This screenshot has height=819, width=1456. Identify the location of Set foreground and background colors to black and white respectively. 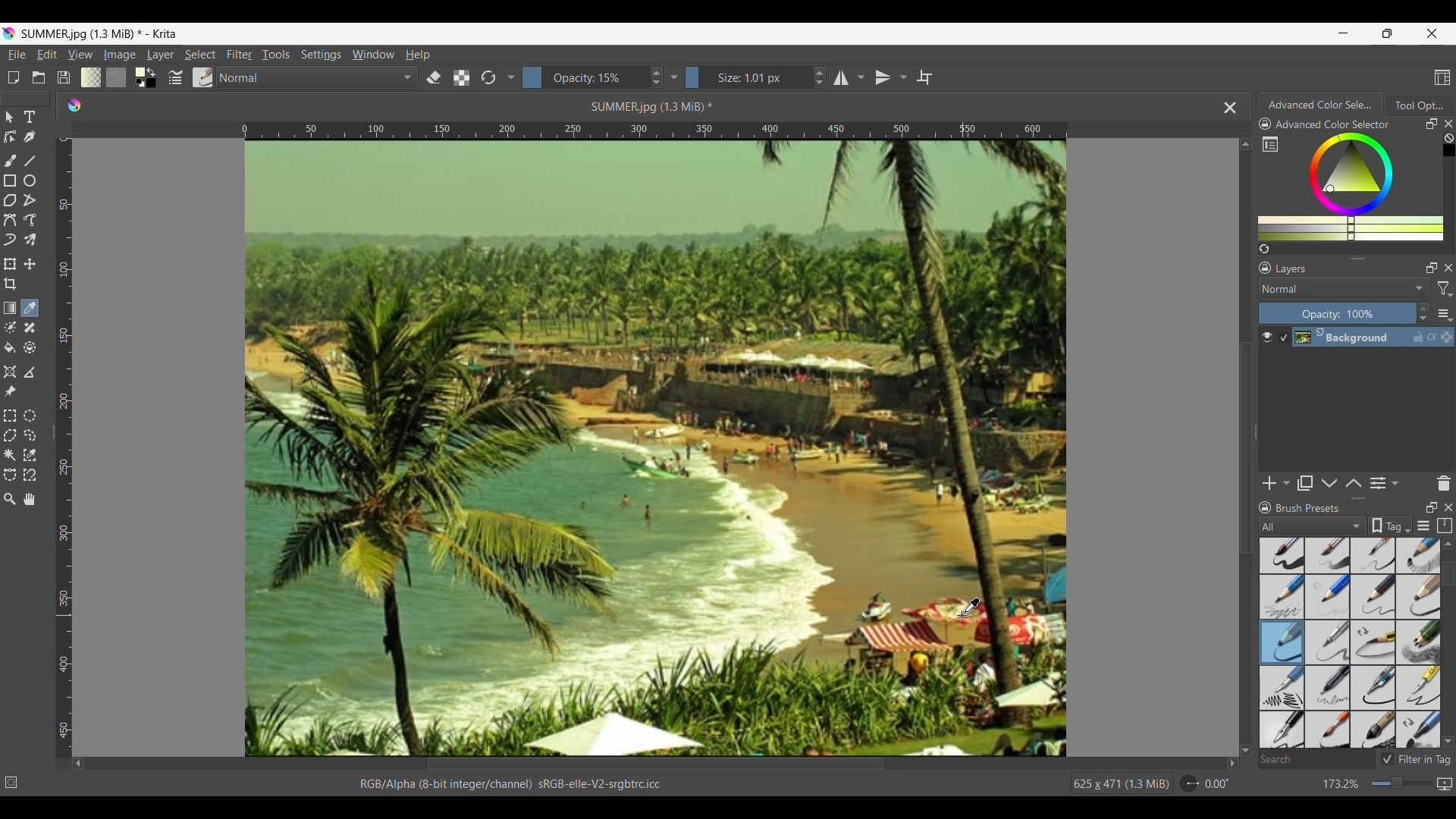
(137, 84).